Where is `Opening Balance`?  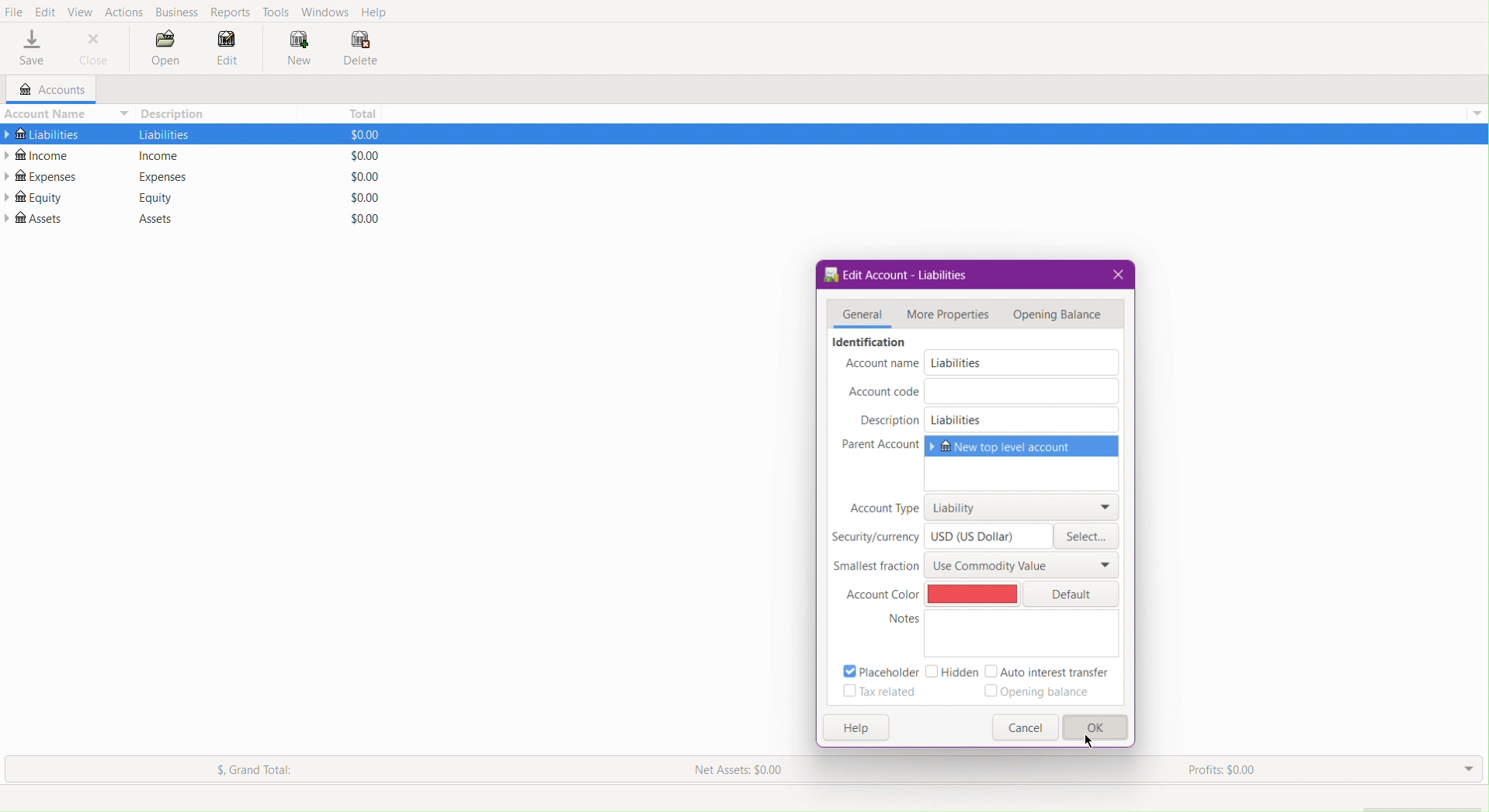 Opening Balance is located at coordinates (1061, 314).